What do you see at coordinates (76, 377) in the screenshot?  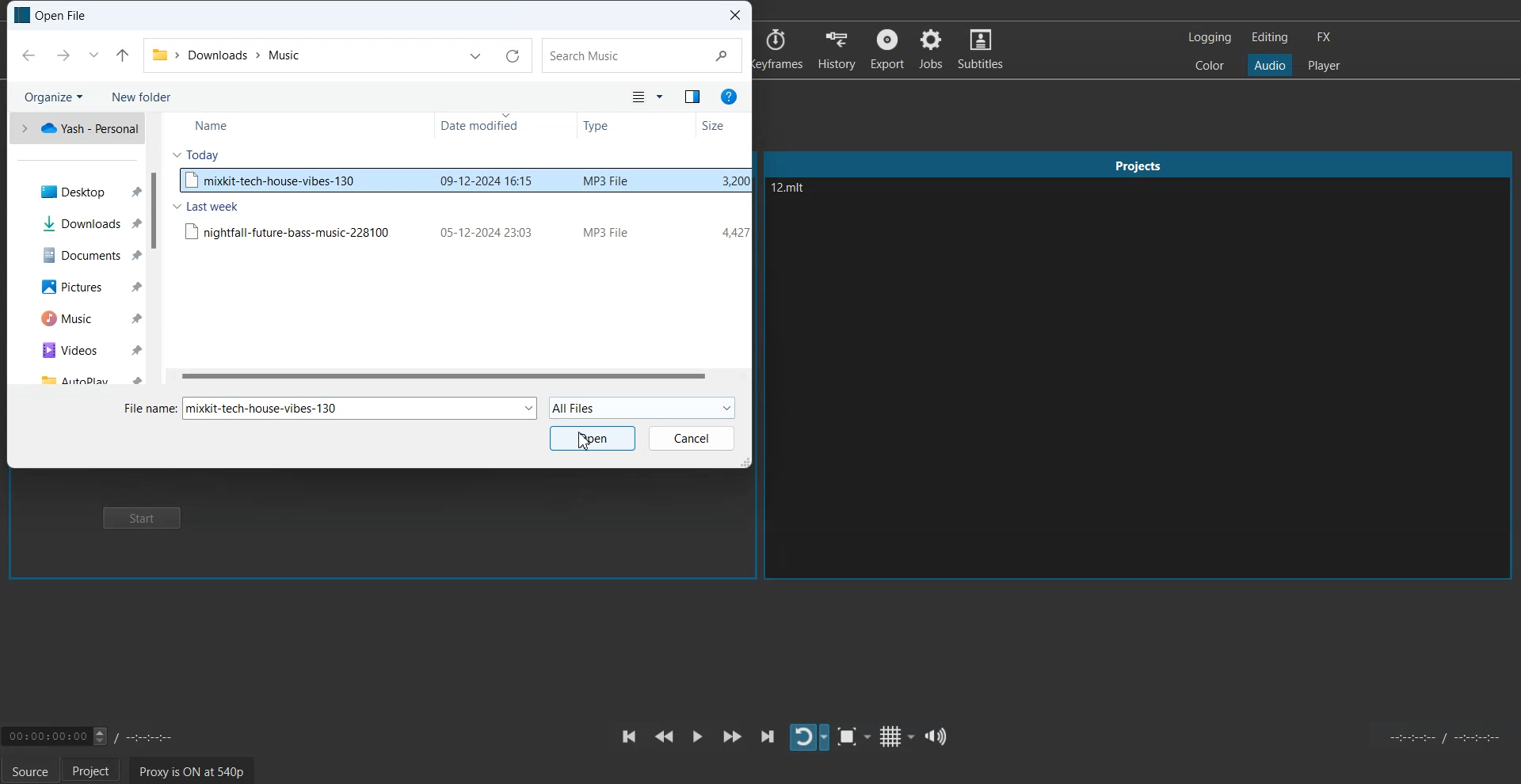 I see `Autoplay` at bounding box center [76, 377].